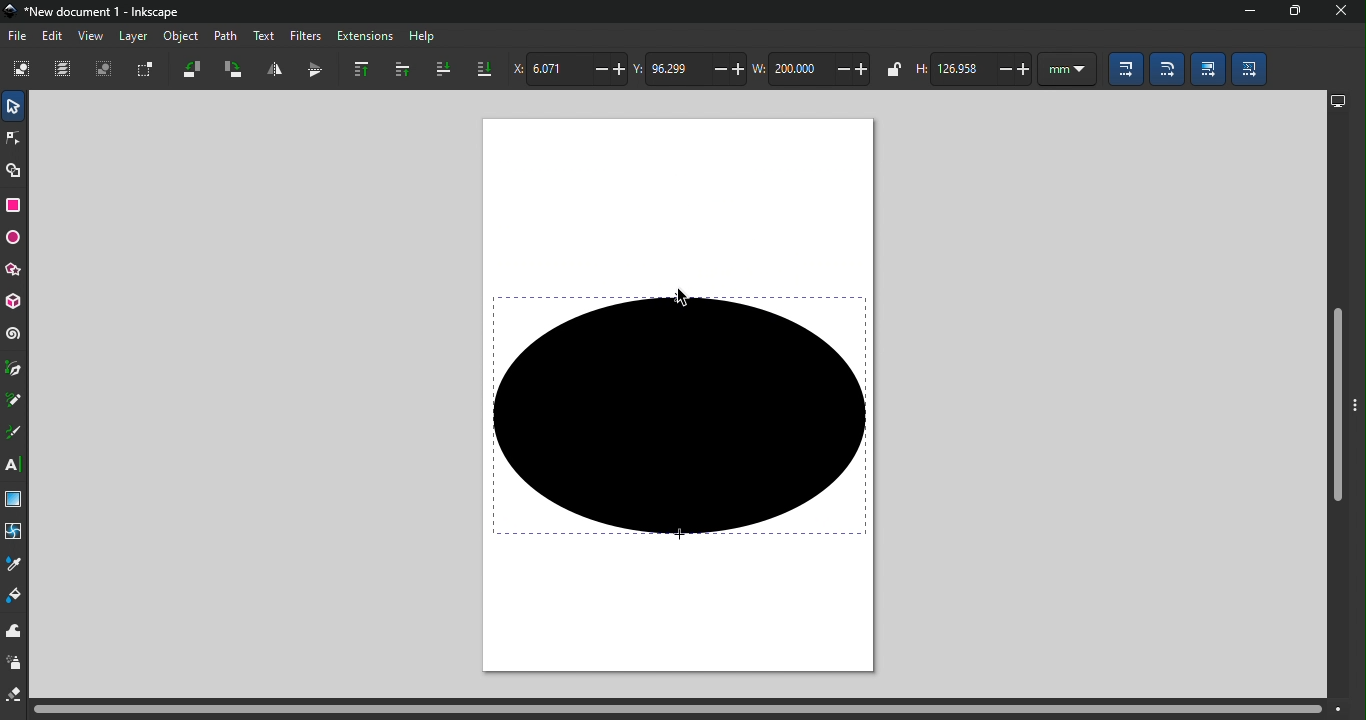 This screenshot has width=1366, height=720. What do you see at coordinates (11, 106) in the screenshot?
I see `Selector tool` at bounding box center [11, 106].